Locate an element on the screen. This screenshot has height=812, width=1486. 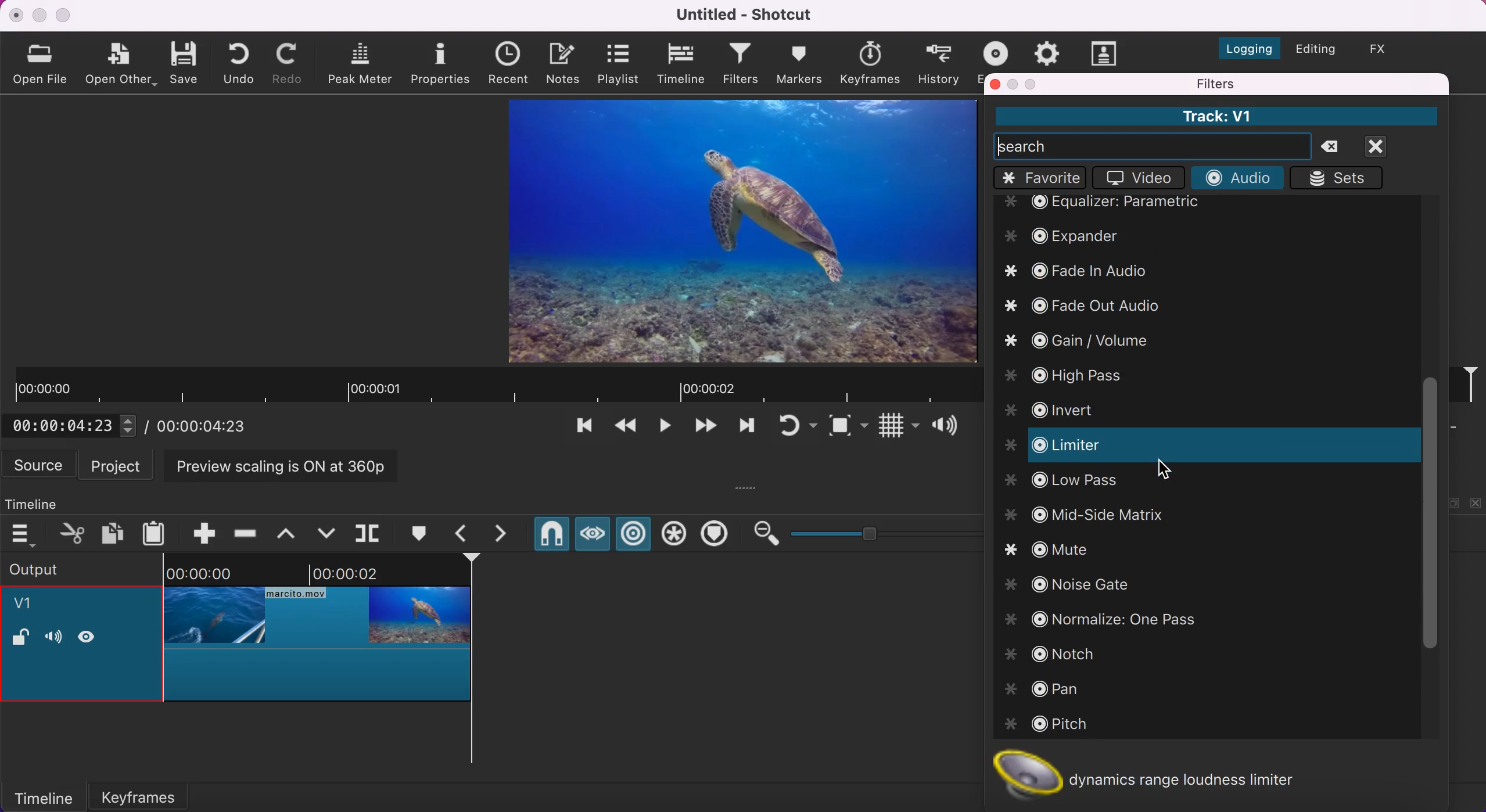
clip is located at coordinates (744, 231).